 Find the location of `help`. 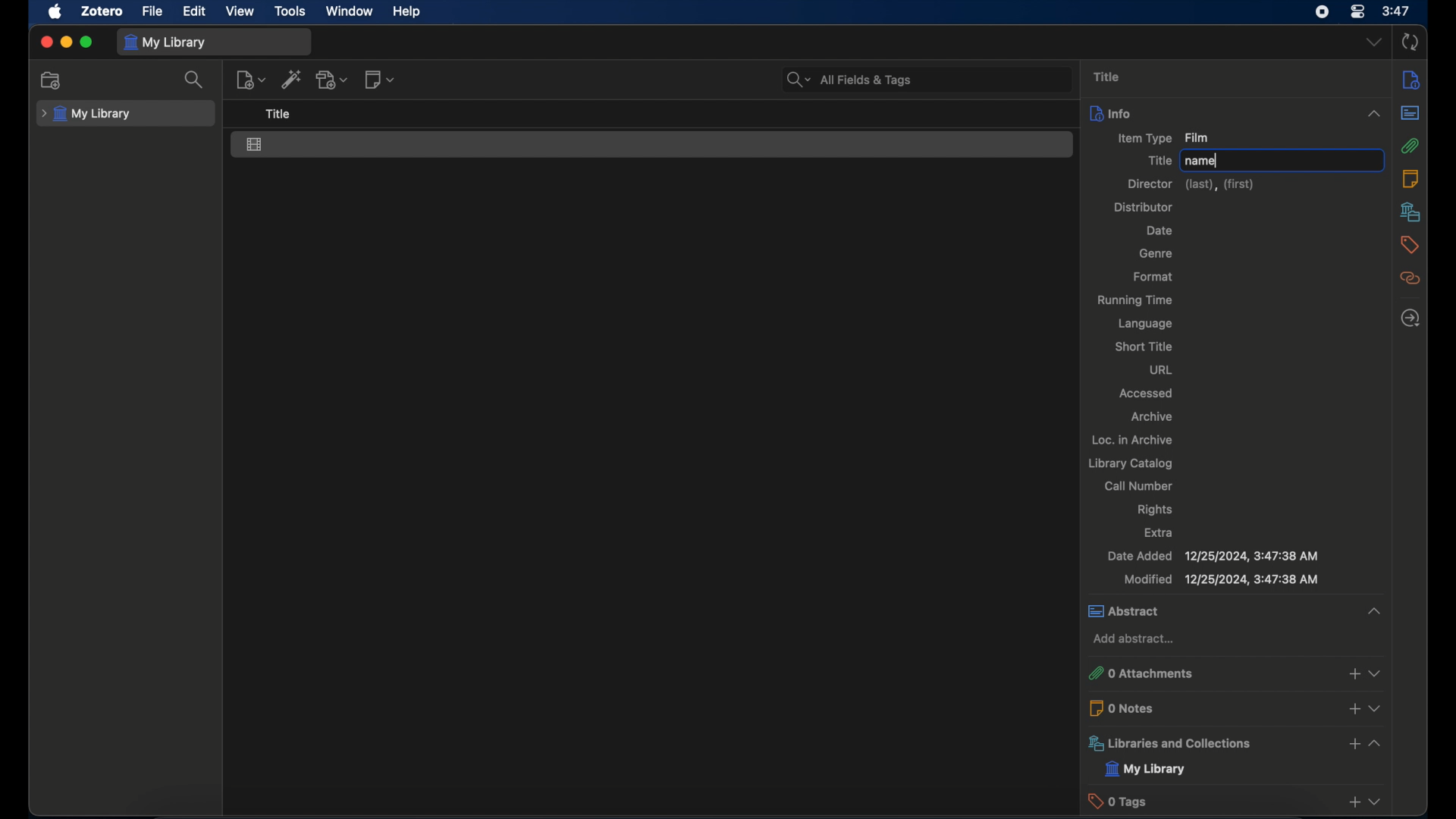

help is located at coordinates (408, 12).